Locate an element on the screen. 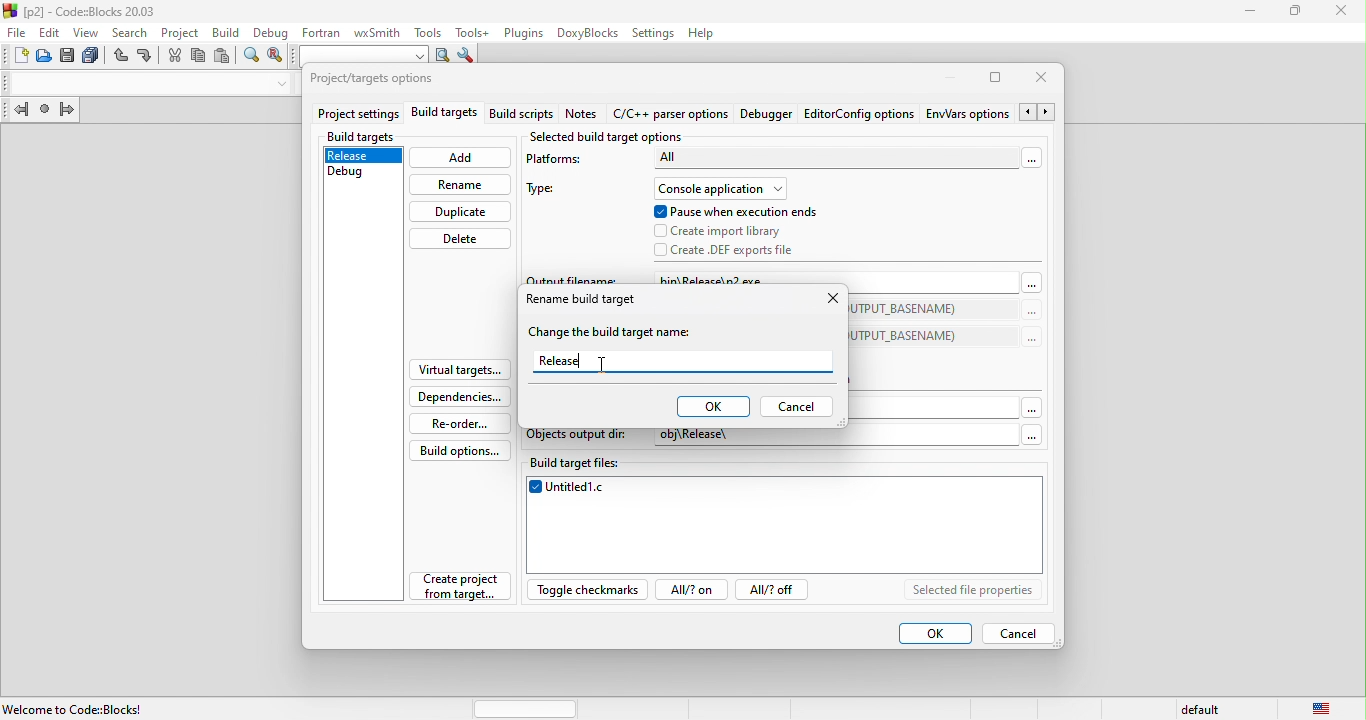  default is located at coordinates (1204, 707).